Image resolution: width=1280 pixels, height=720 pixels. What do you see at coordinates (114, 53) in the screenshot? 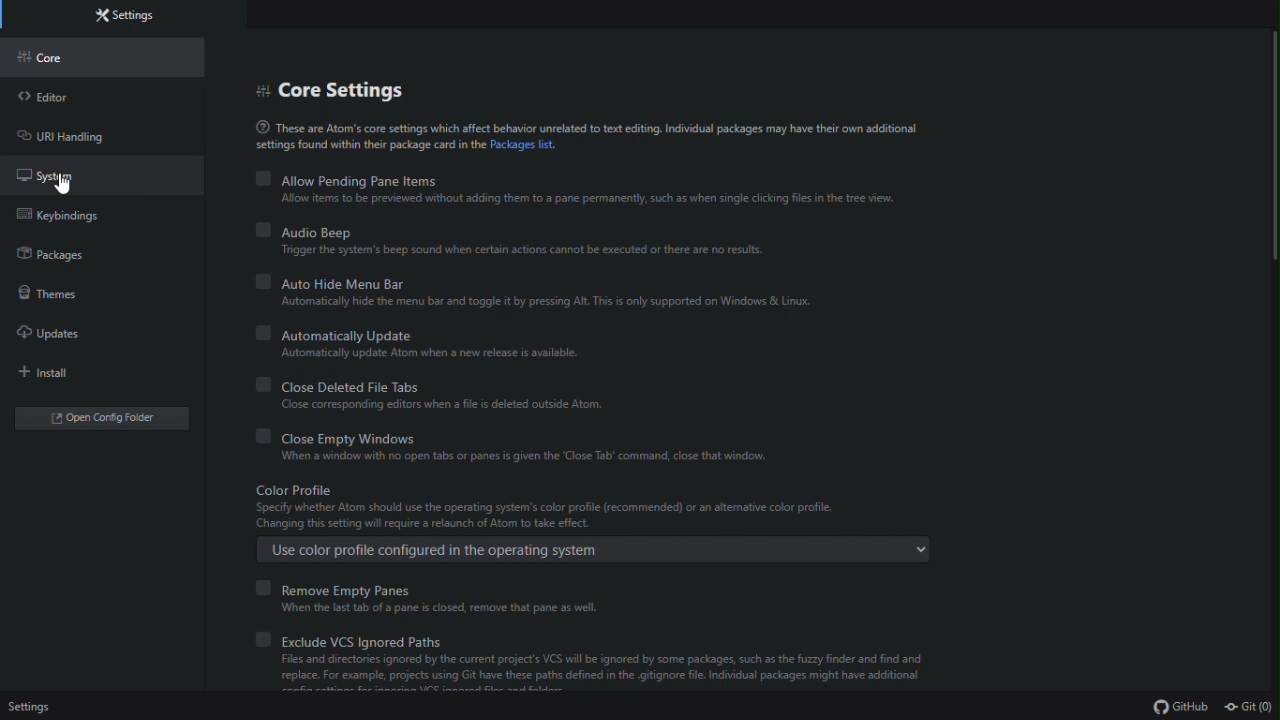
I see `Core ` at bounding box center [114, 53].